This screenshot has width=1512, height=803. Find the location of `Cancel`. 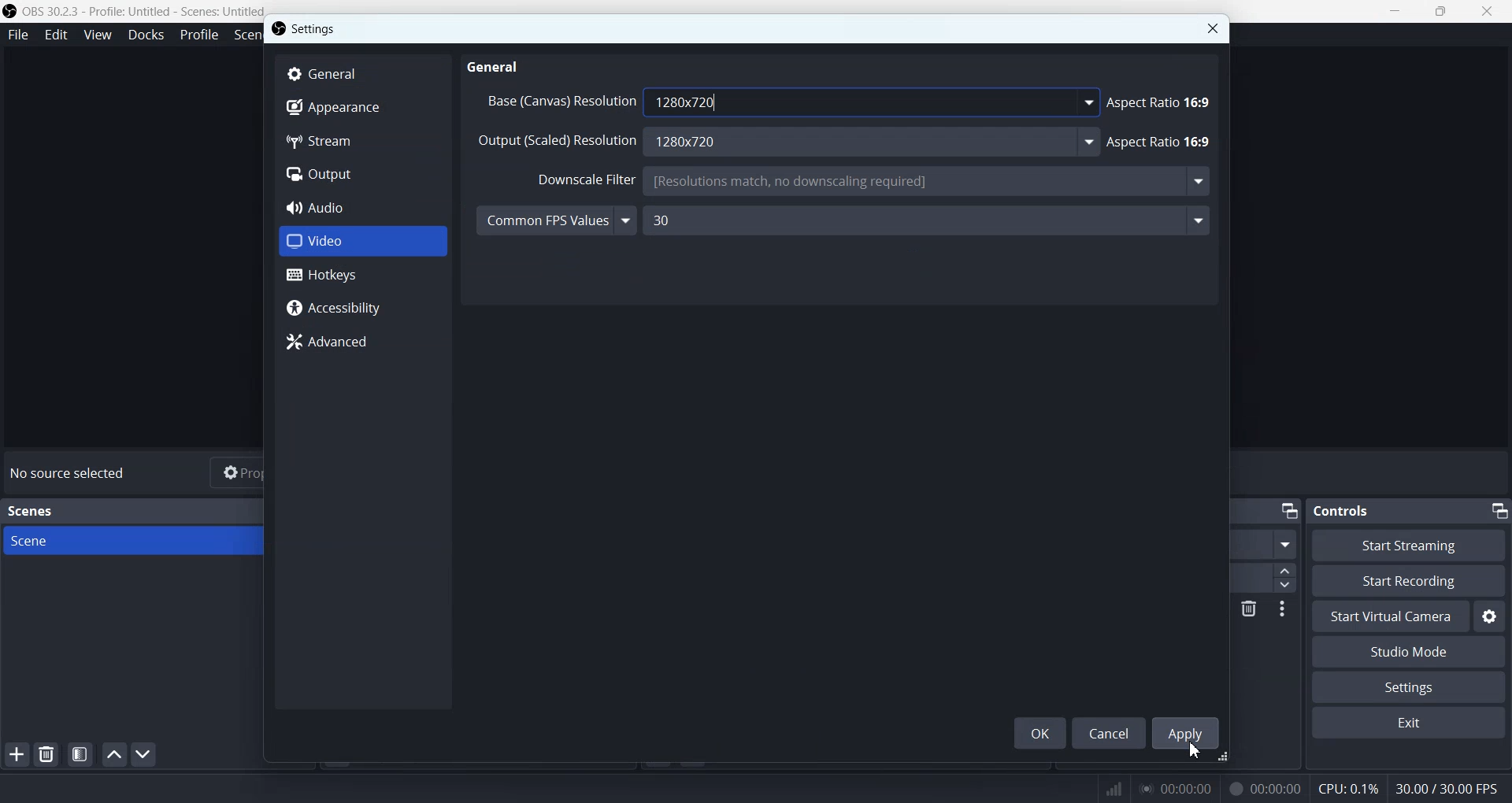

Cancel is located at coordinates (1110, 732).